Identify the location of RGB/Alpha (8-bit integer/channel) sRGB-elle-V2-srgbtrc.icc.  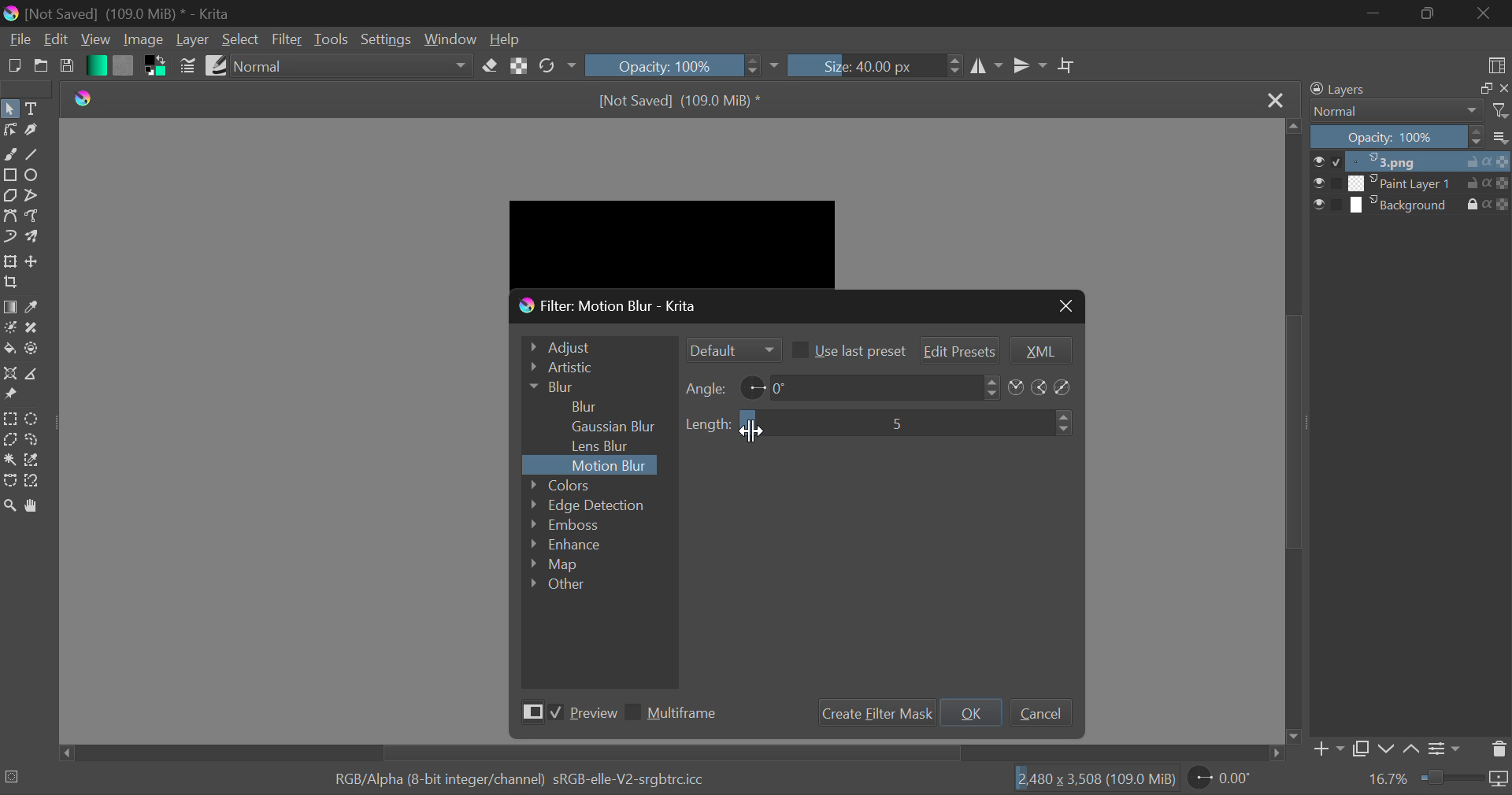
(506, 776).